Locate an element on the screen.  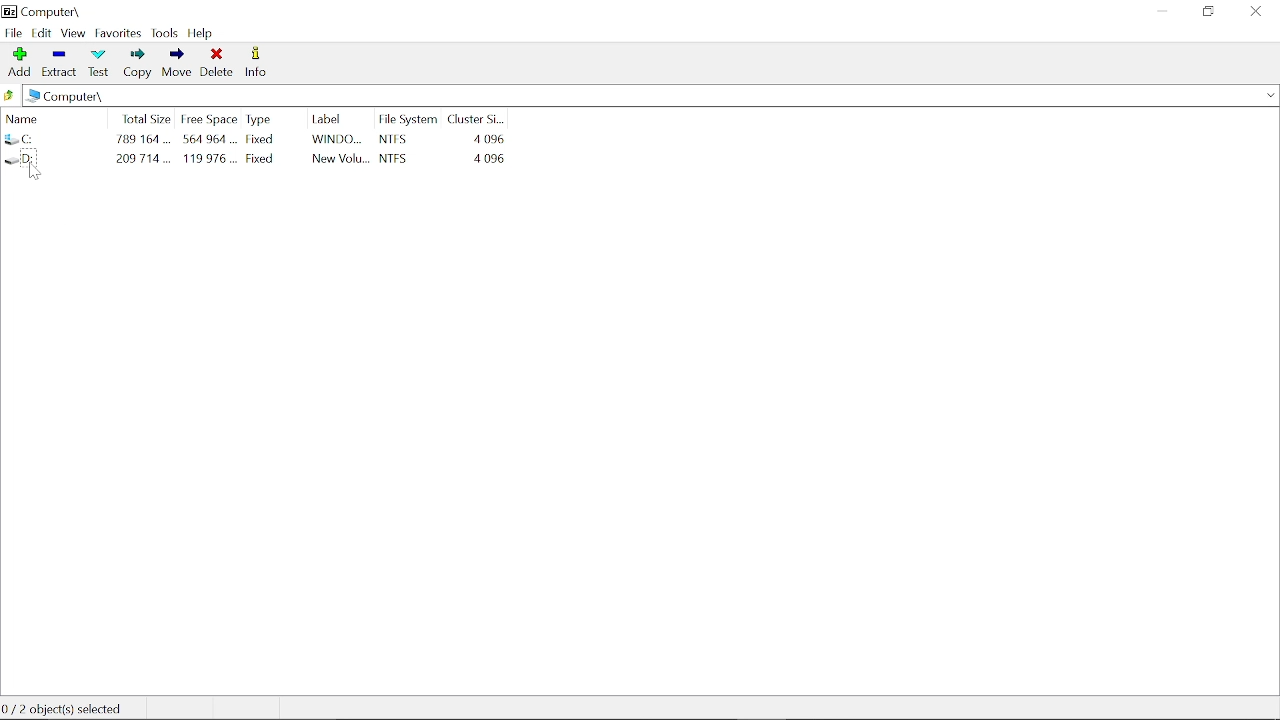
total size is located at coordinates (145, 117).